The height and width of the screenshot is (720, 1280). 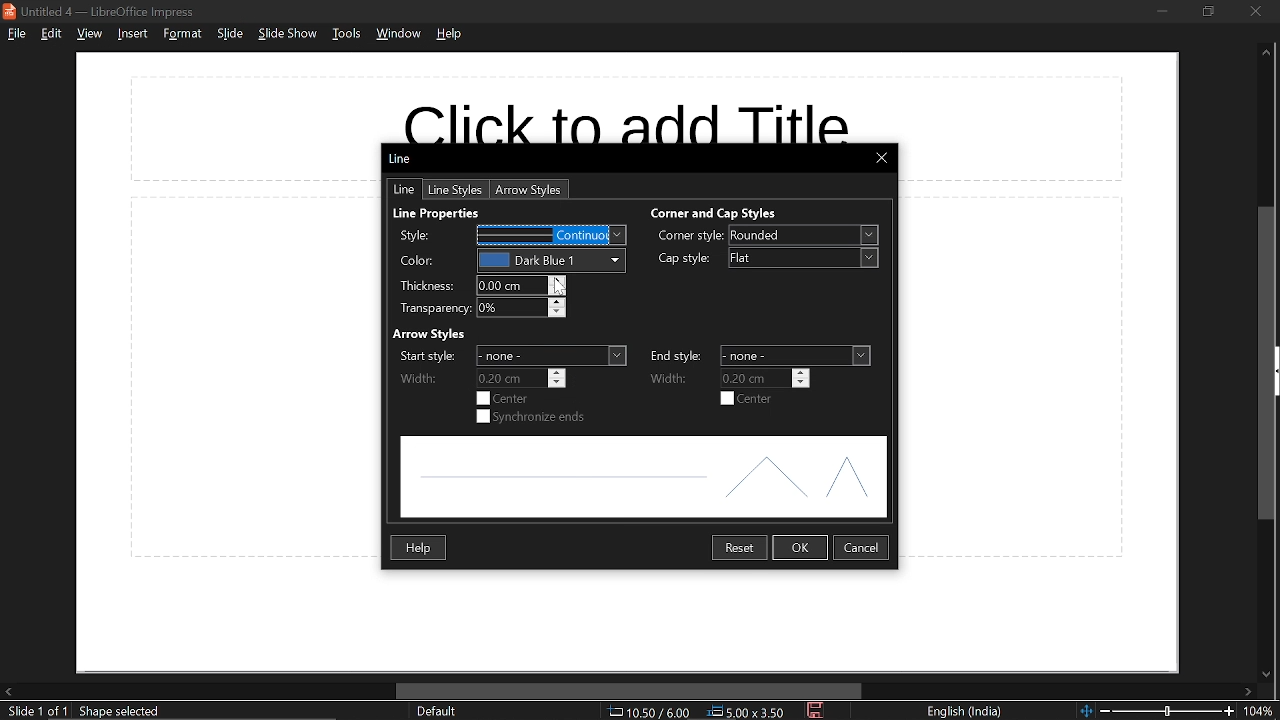 What do you see at coordinates (36, 711) in the screenshot?
I see `current slide` at bounding box center [36, 711].